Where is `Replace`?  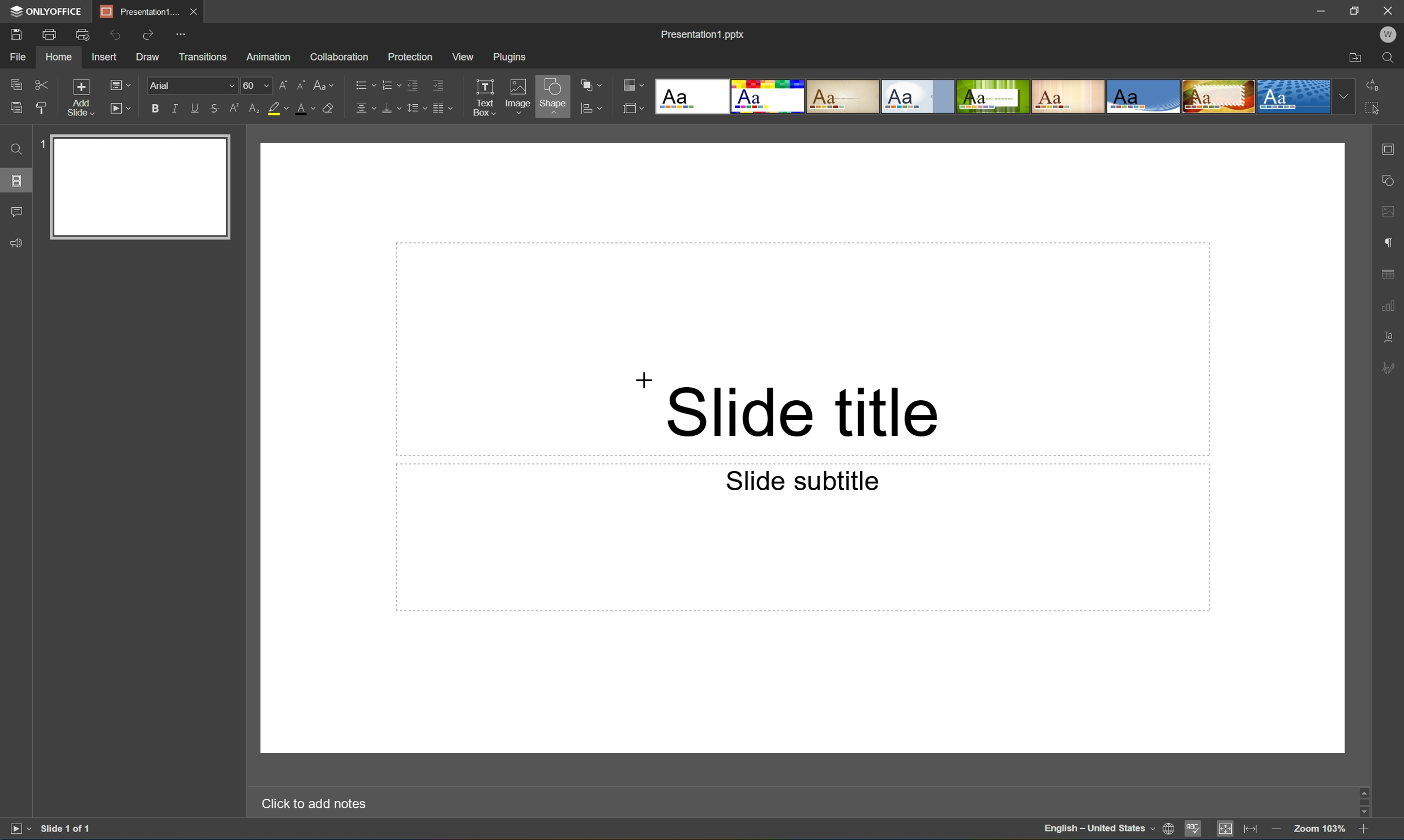 Replace is located at coordinates (1376, 84).